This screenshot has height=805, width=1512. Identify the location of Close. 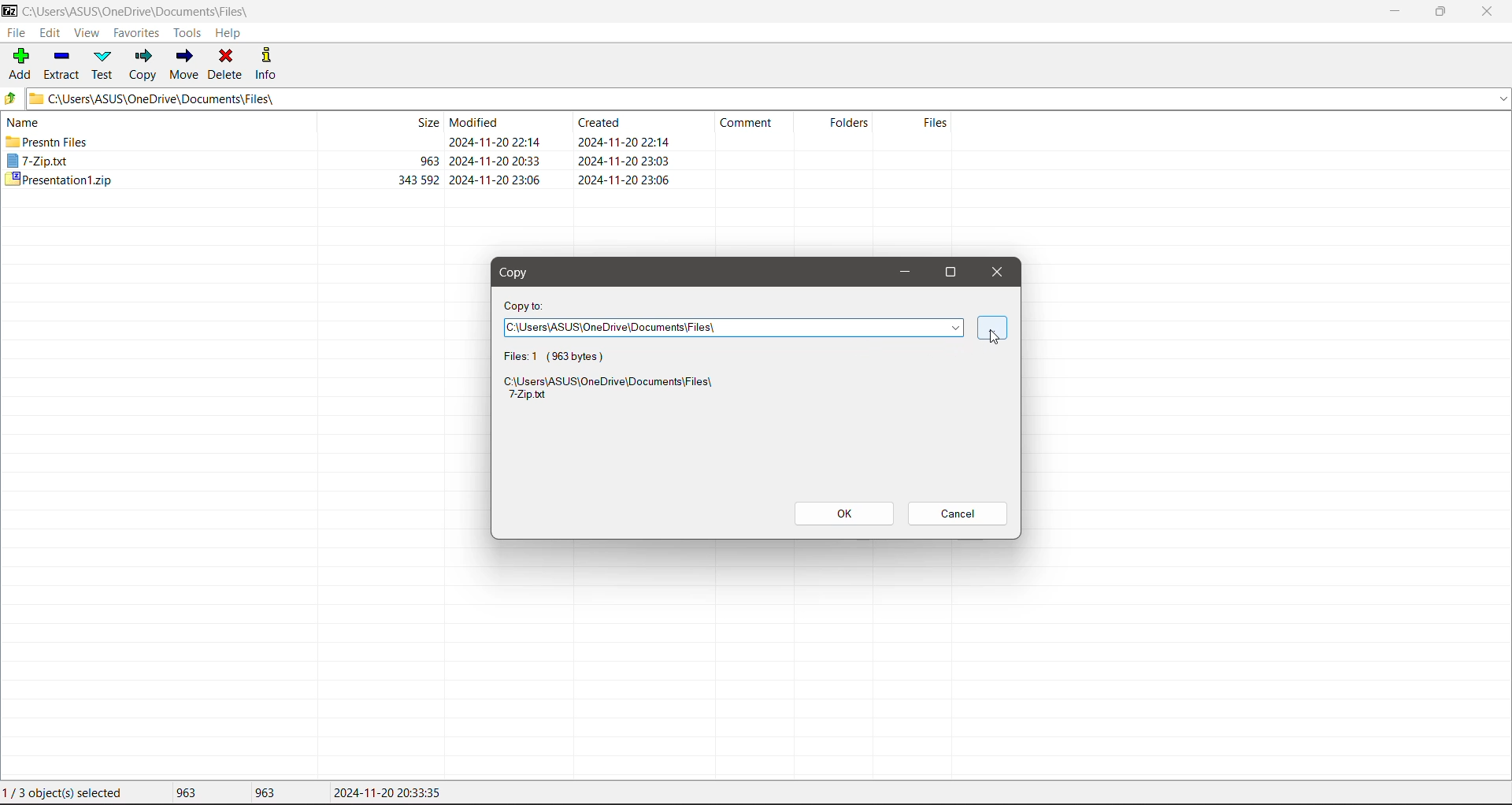
(1488, 12).